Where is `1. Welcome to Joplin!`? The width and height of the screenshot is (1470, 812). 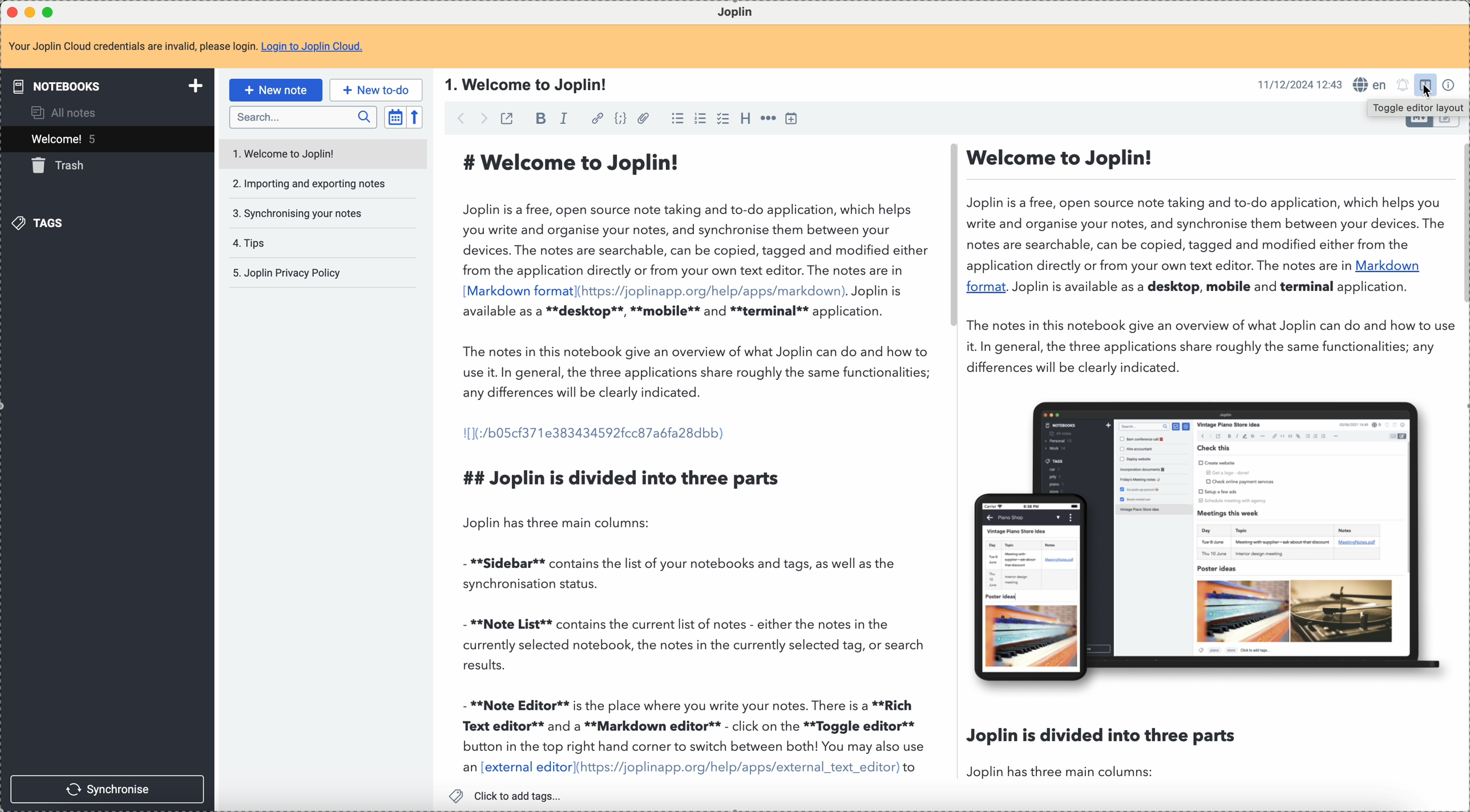 1. Welcome to Joplin! is located at coordinates (530, 84).